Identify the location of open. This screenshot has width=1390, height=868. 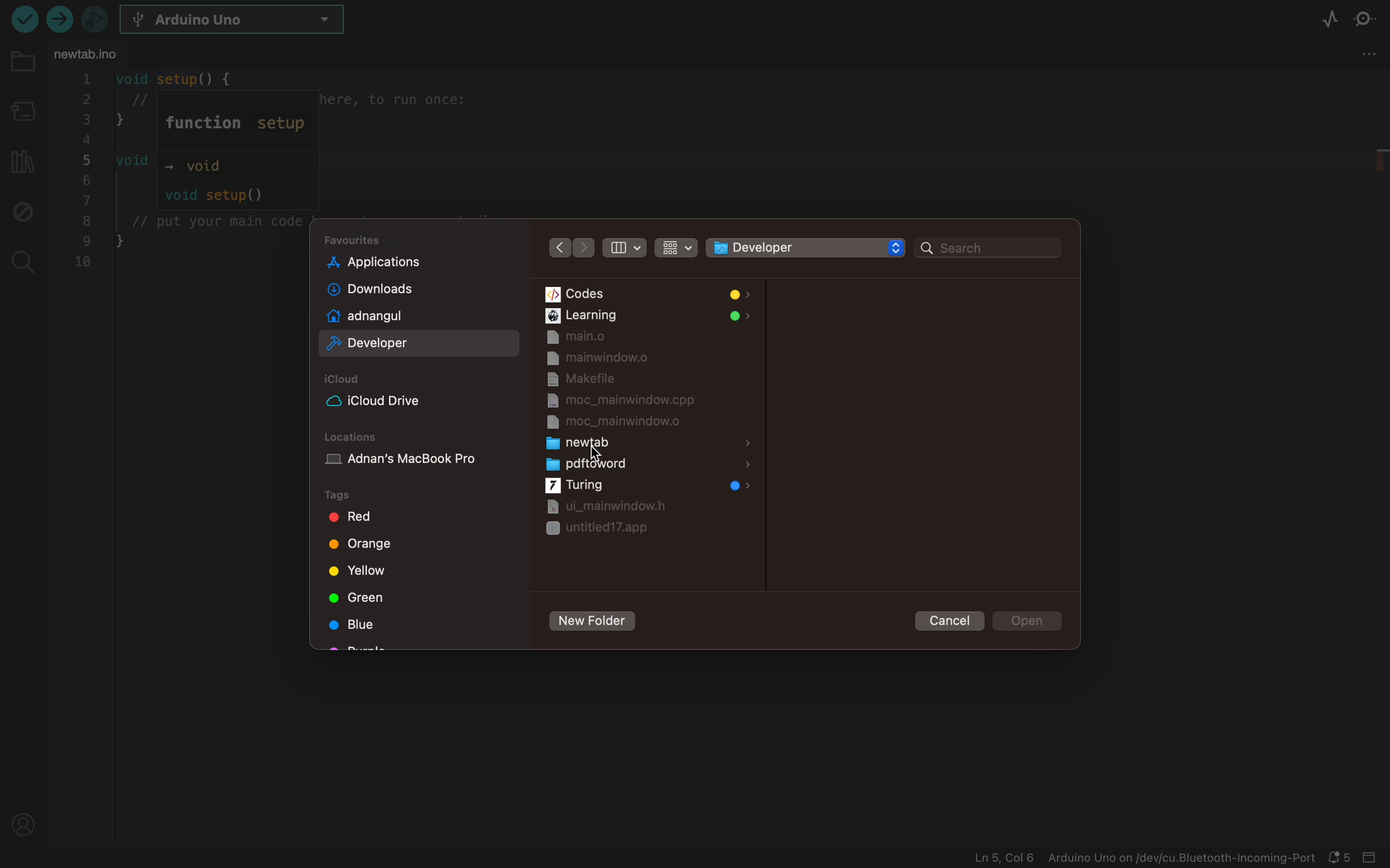
(1029, 621).